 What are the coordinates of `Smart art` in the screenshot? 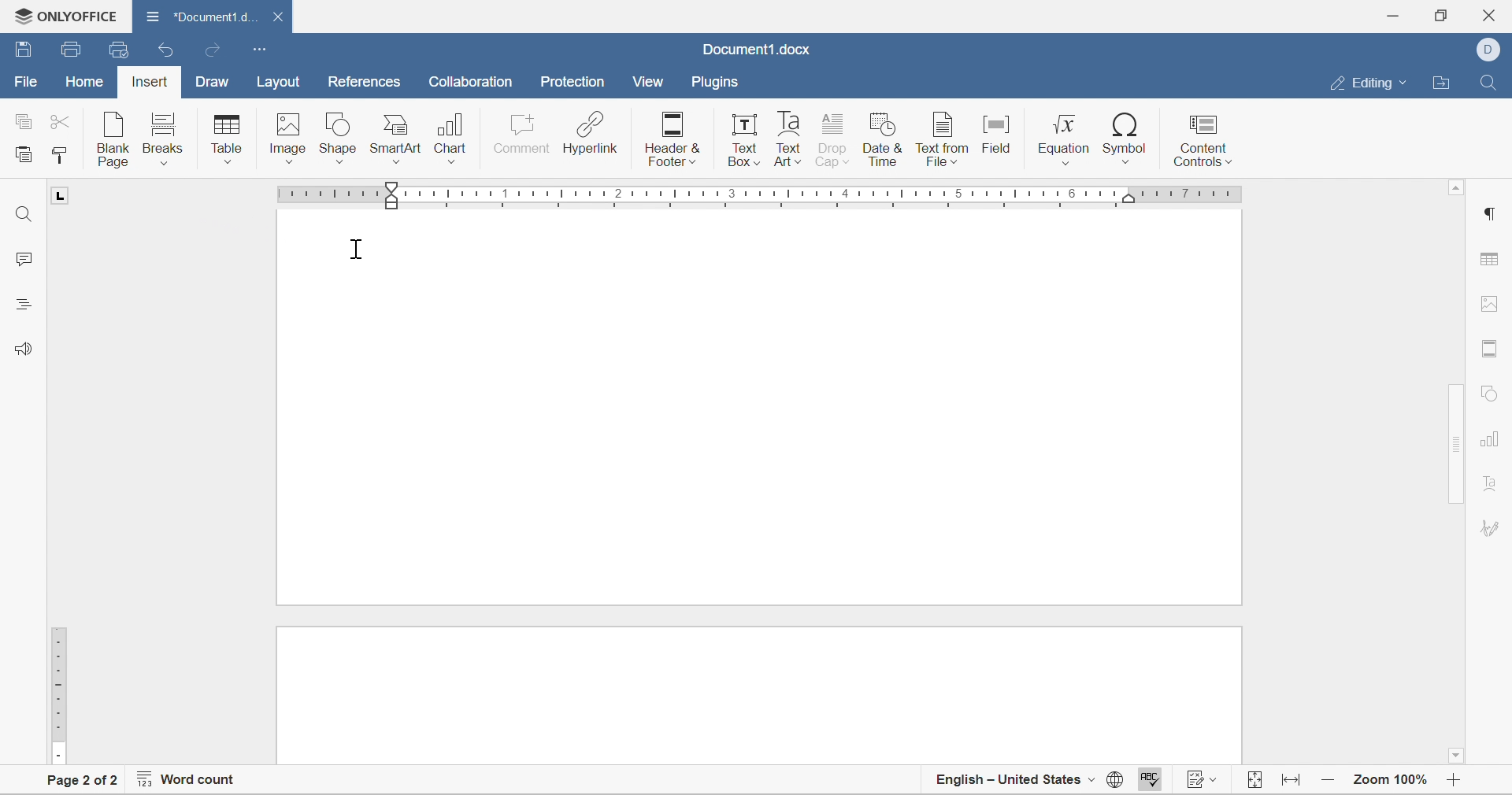 It's located at (398, 140).